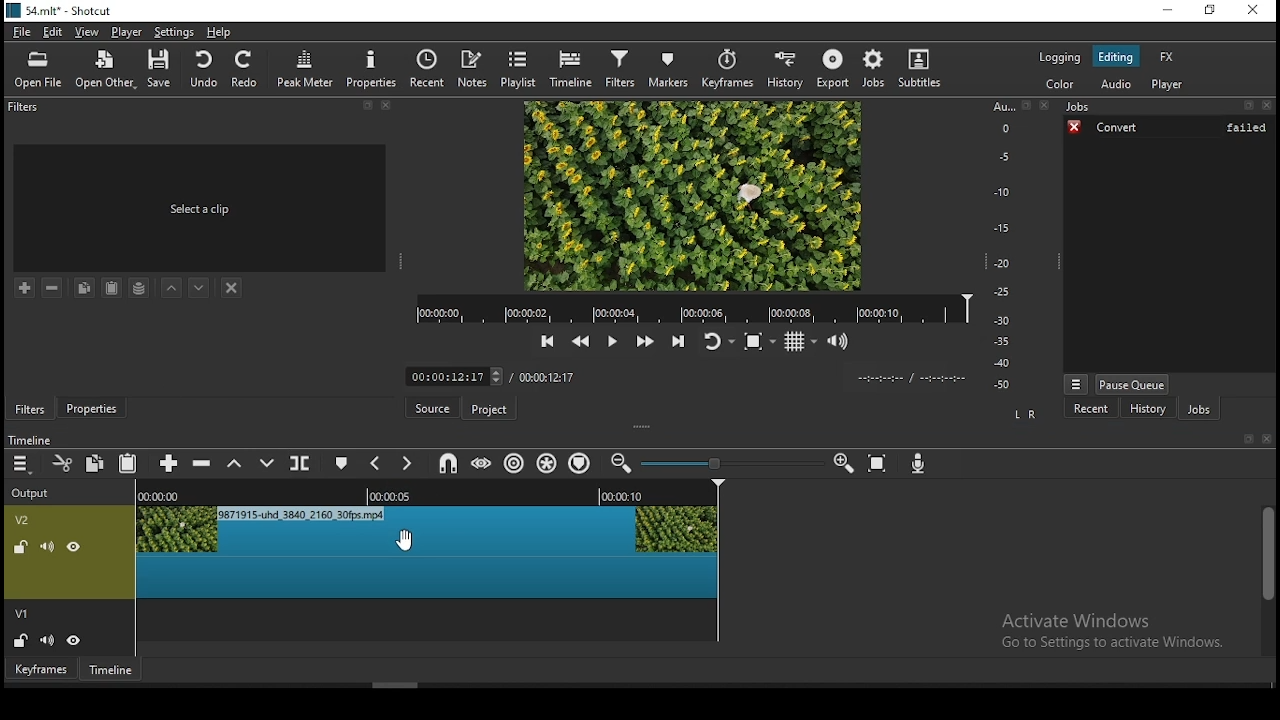 The height and width of the screenshot is (720, 1280). I want to click on subtitles, so click(921, 68).